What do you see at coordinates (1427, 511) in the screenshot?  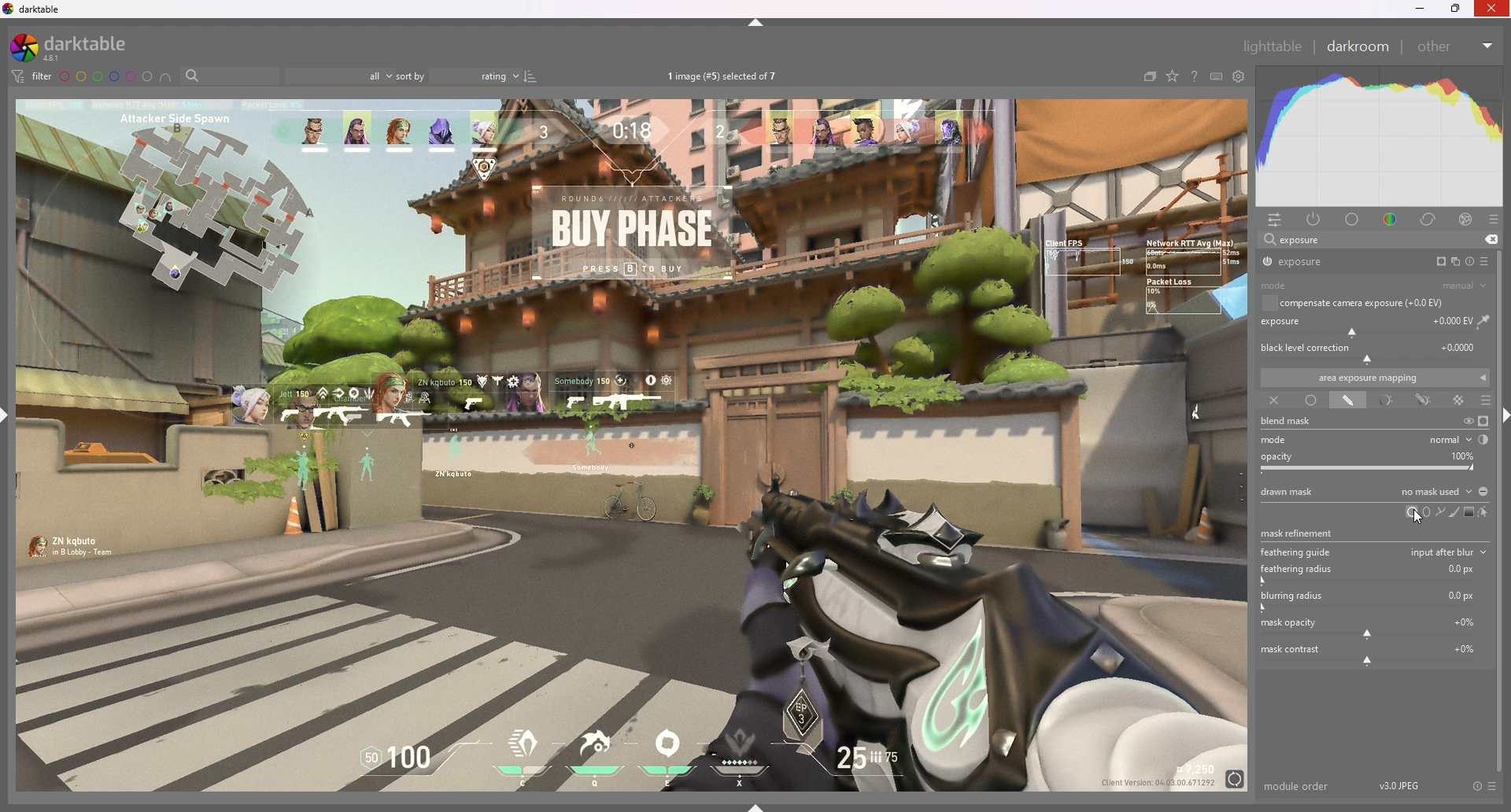 I see `ellipse` at bounding box center [1427, 511].